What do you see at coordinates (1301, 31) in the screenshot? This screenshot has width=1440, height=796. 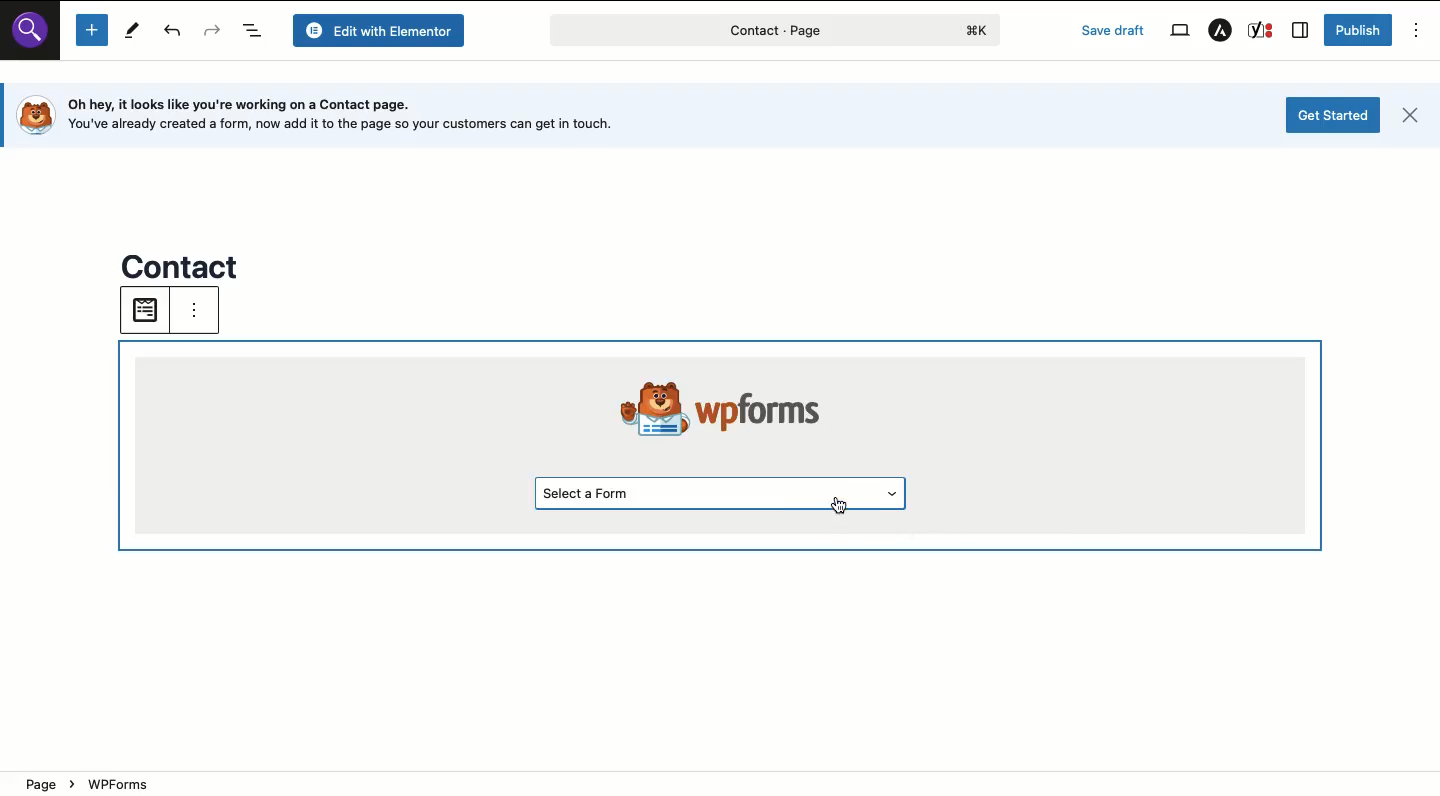 I see `Sidebar` at bounding box center [1301, 31].